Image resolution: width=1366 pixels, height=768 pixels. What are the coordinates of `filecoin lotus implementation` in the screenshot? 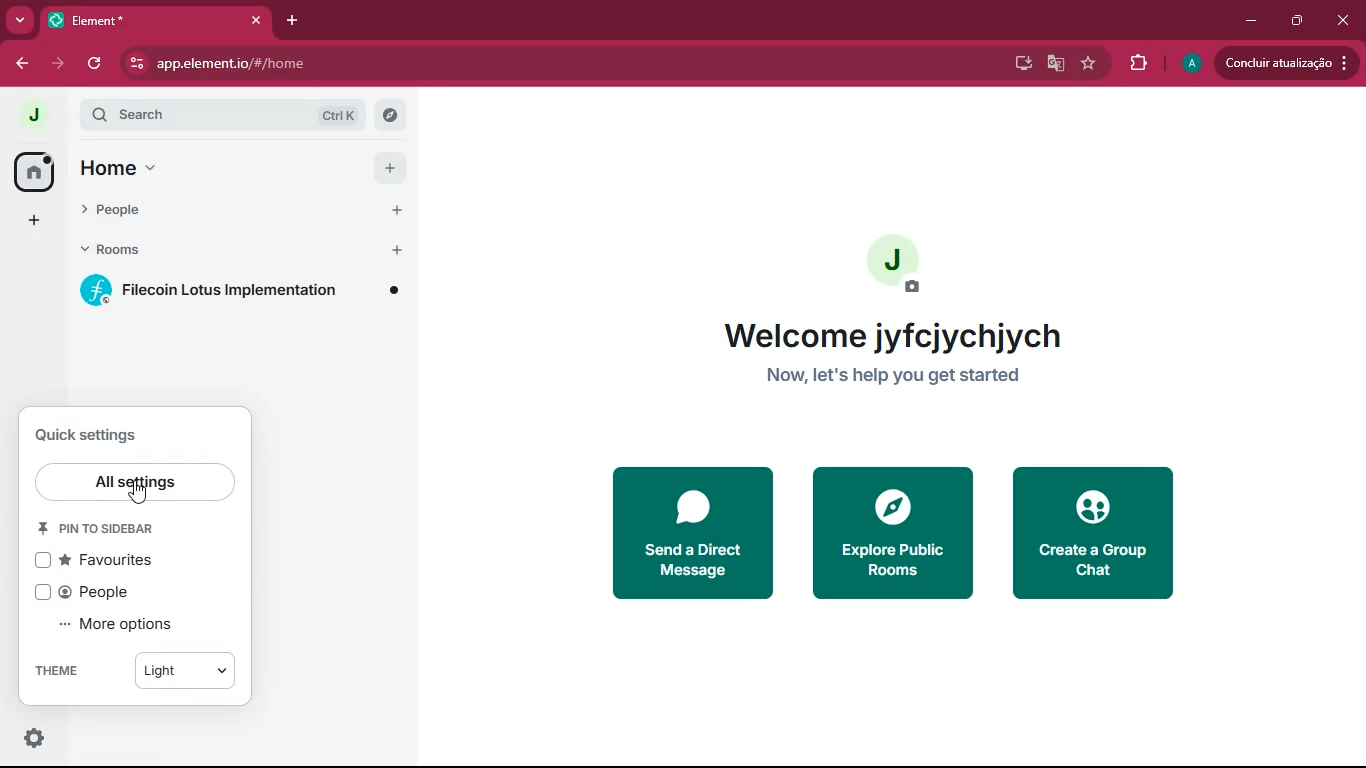 It's located at (240, 291).